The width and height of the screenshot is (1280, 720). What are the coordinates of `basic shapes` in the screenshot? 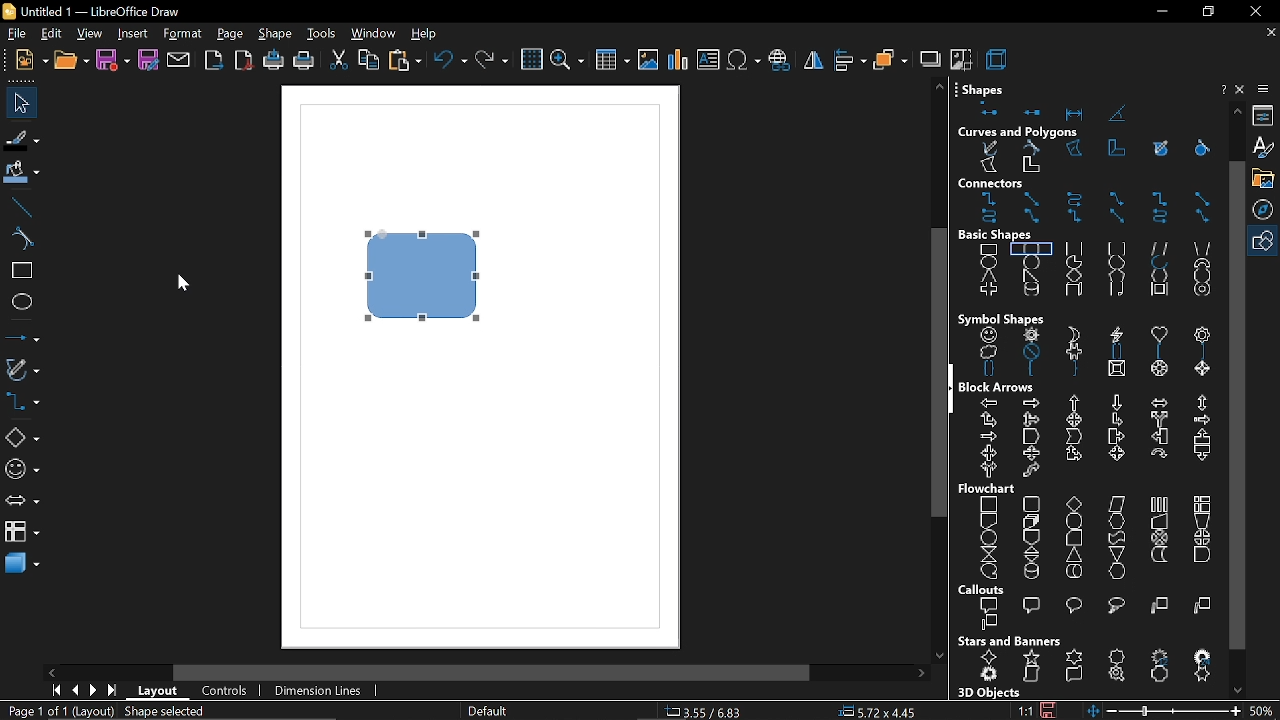 It's located at (1265, 242).